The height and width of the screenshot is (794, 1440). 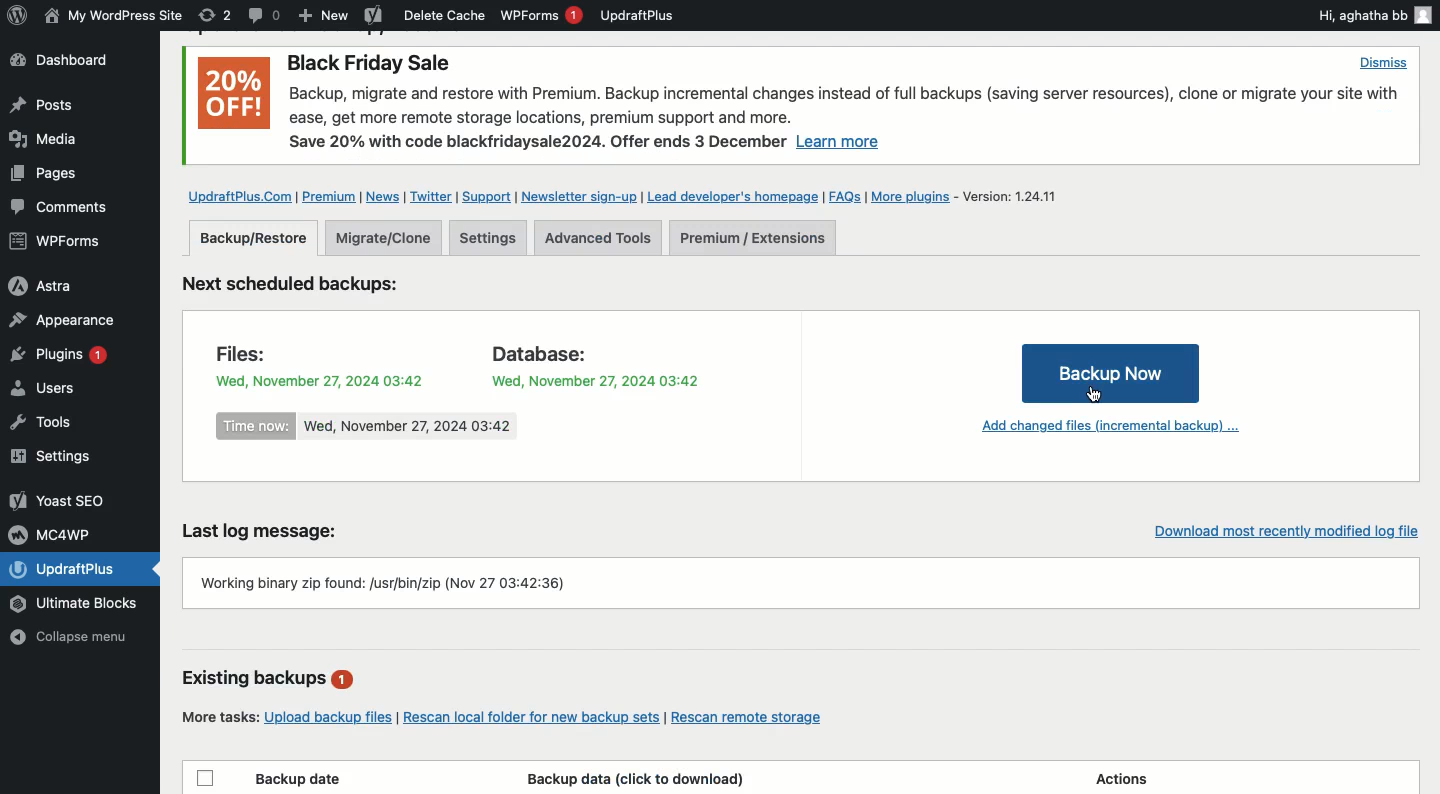 What do you see at coordinates (255, 238) in the screenshot?
I see `Backup/Restore` at bounding box center [255, 238].